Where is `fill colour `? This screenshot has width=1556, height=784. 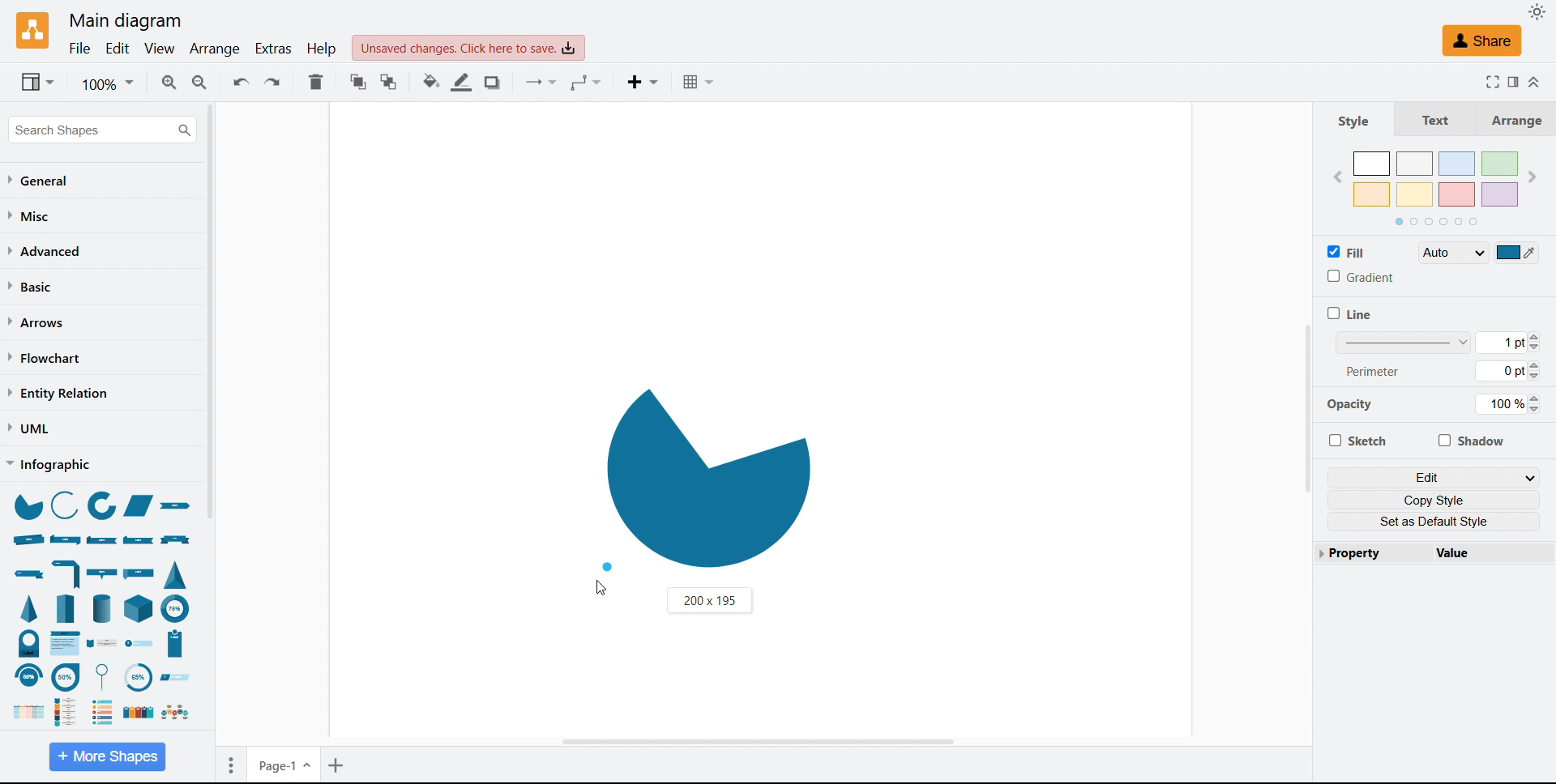 fill colour  is located at coordinates (1517, 252).